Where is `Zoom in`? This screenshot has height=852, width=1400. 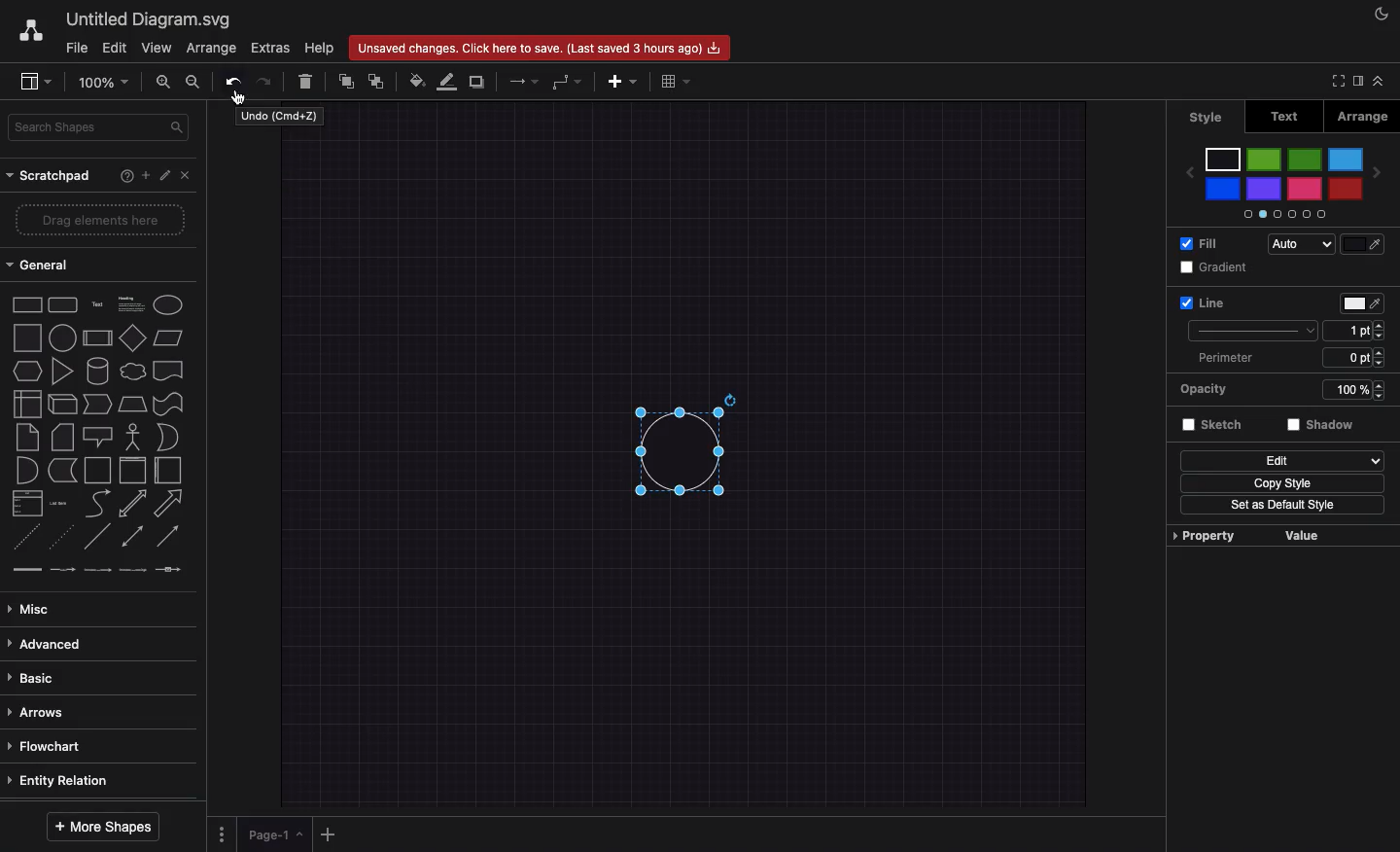 Zoom in is located at coordinates (164, 82).